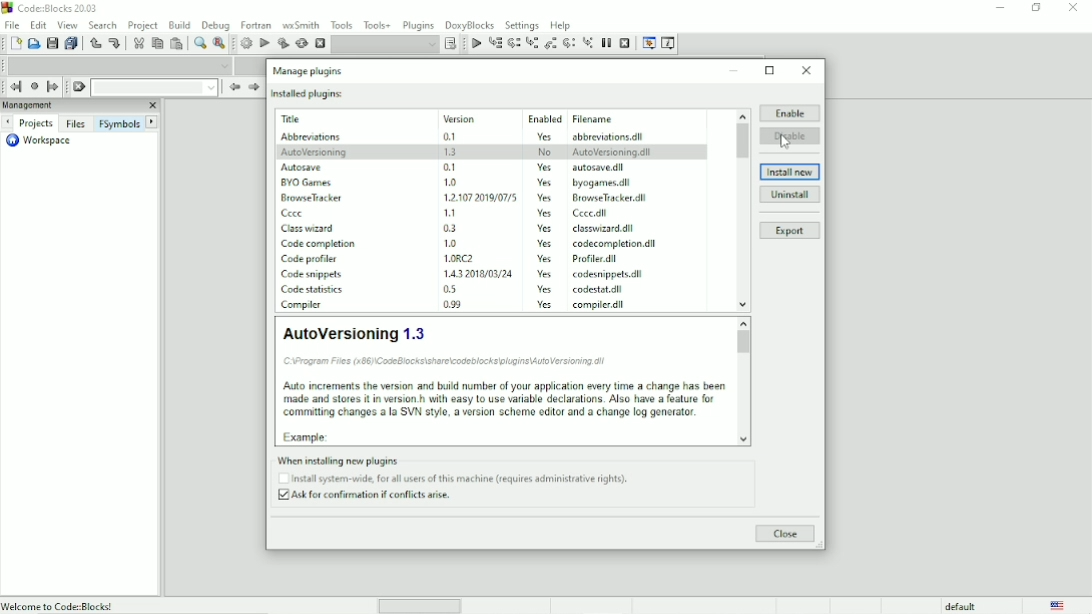 The image size is (1092, 614). I want to click on Disable, so click(791, 136).